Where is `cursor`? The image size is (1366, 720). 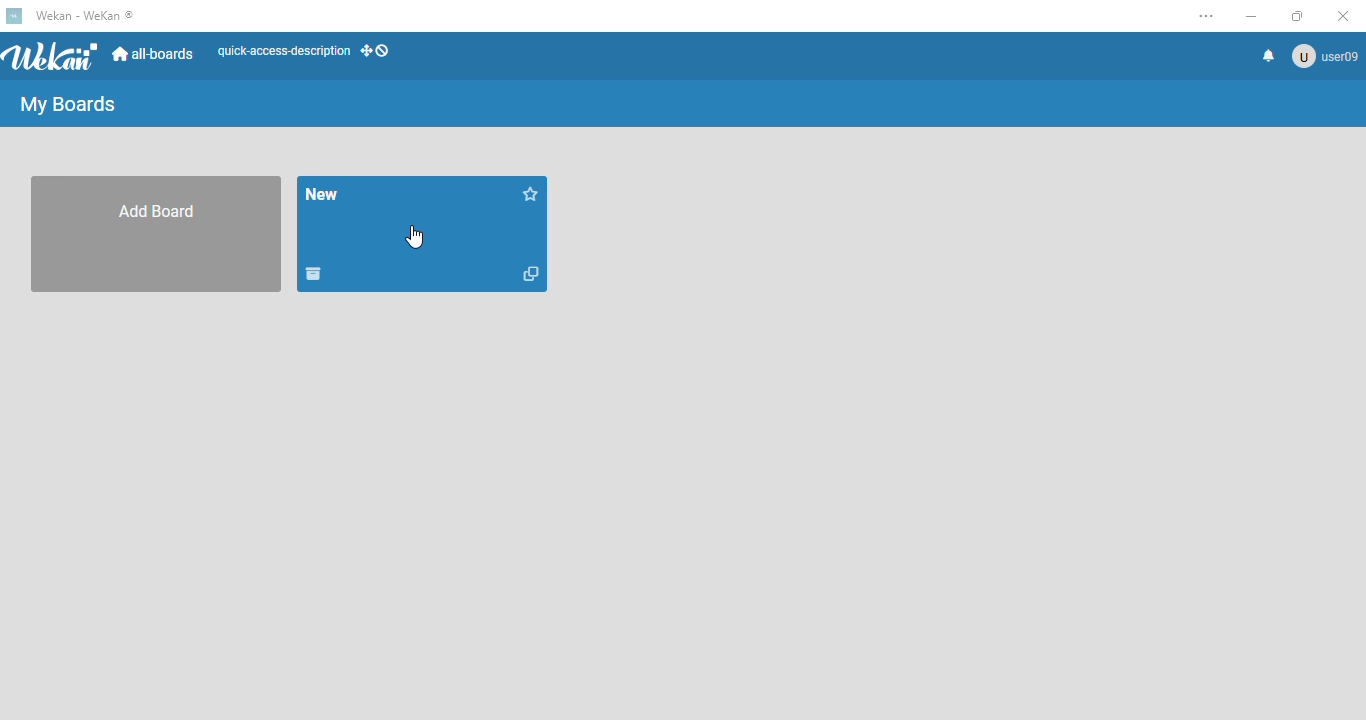
cursor is located at coordinates (416, 238).